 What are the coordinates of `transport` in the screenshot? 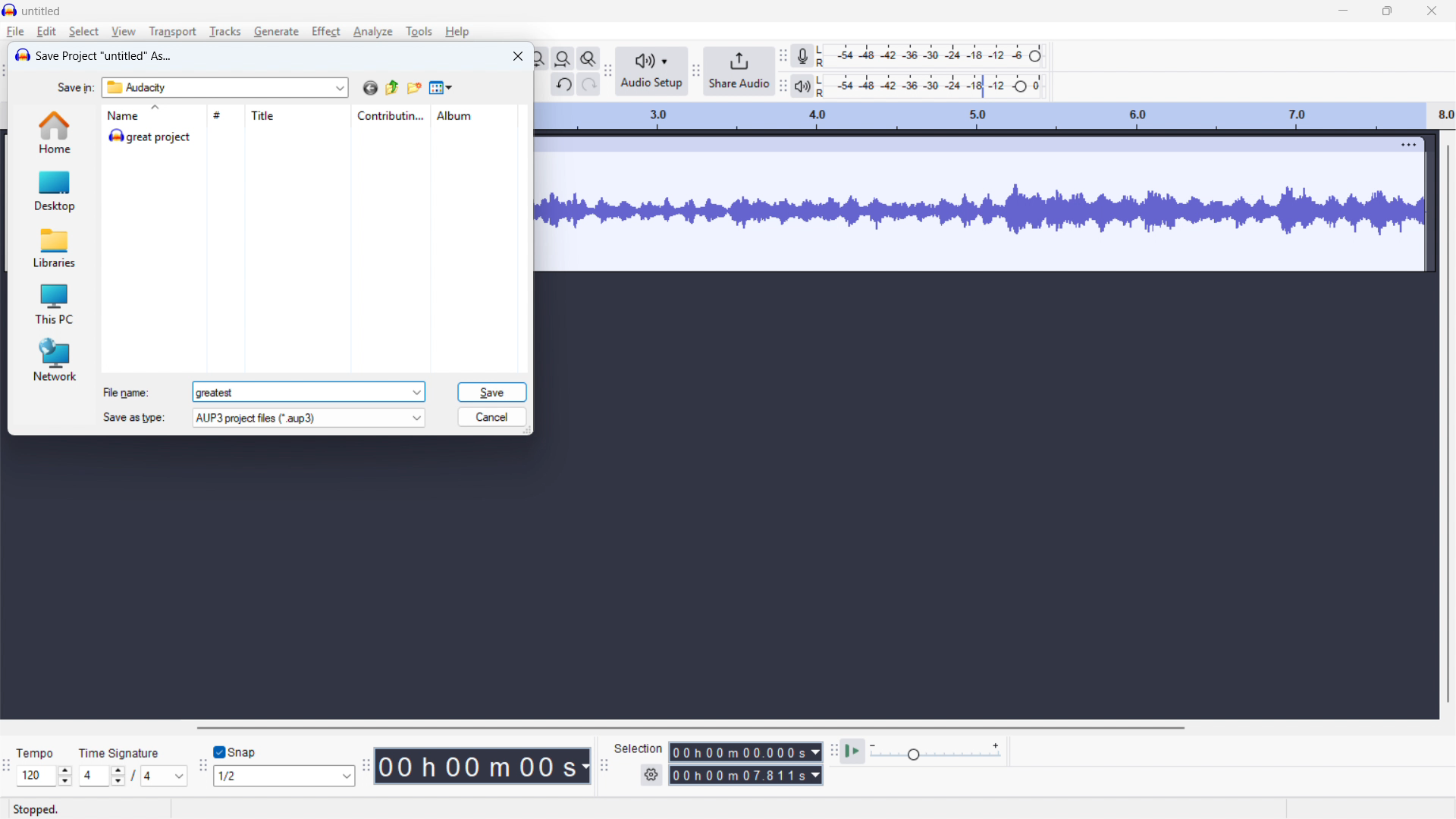 It's located at (173, 32).